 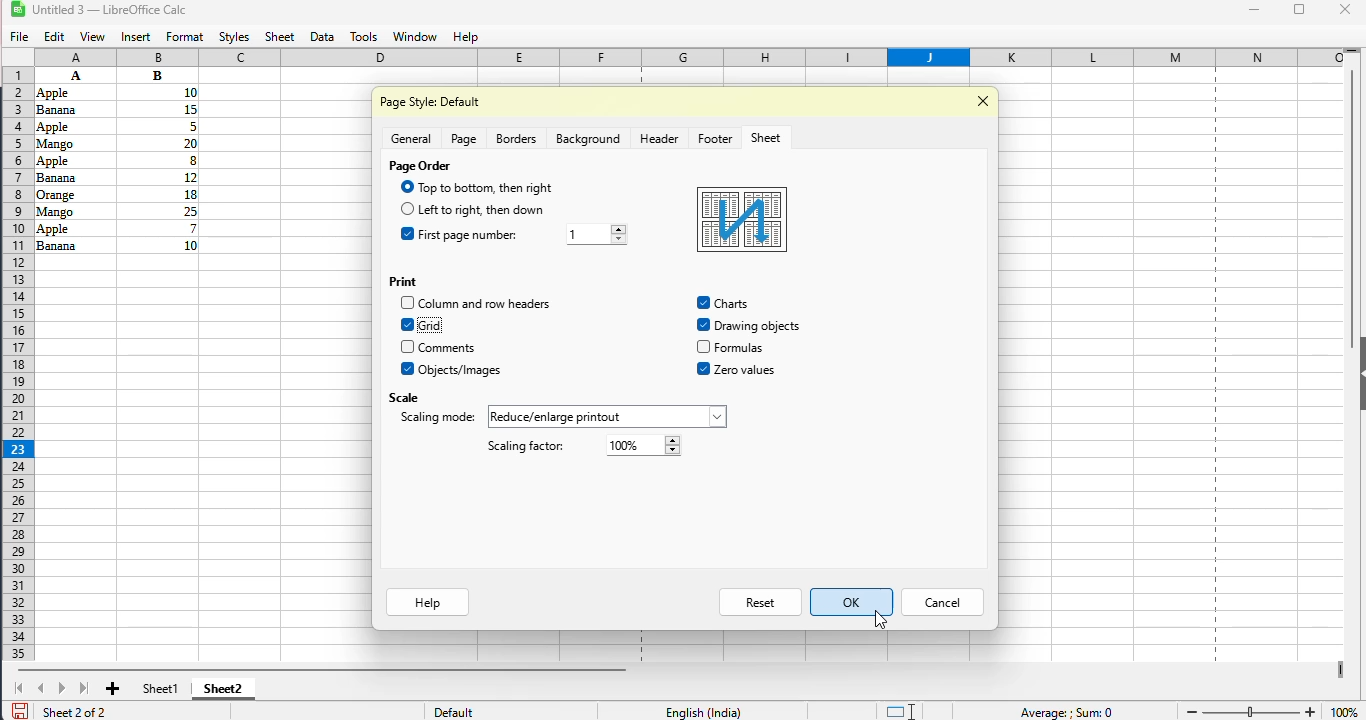 What do you see at coordinates (85, 687) in the screenshot?
I see `scroll to last sheet` at bounding box center [85, 687].